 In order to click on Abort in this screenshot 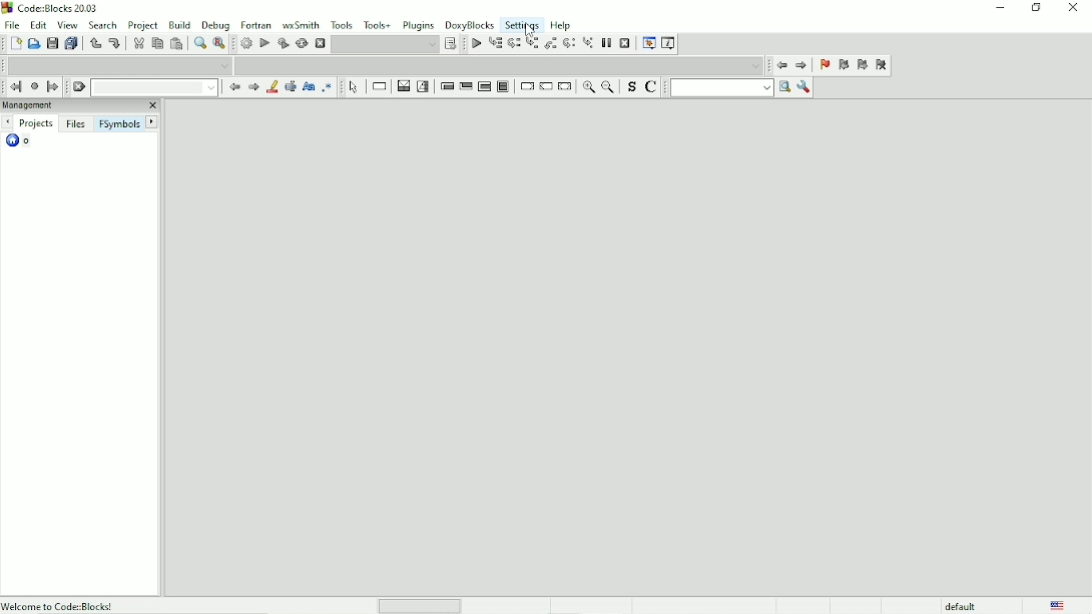, I will do `click(319, 43)`.